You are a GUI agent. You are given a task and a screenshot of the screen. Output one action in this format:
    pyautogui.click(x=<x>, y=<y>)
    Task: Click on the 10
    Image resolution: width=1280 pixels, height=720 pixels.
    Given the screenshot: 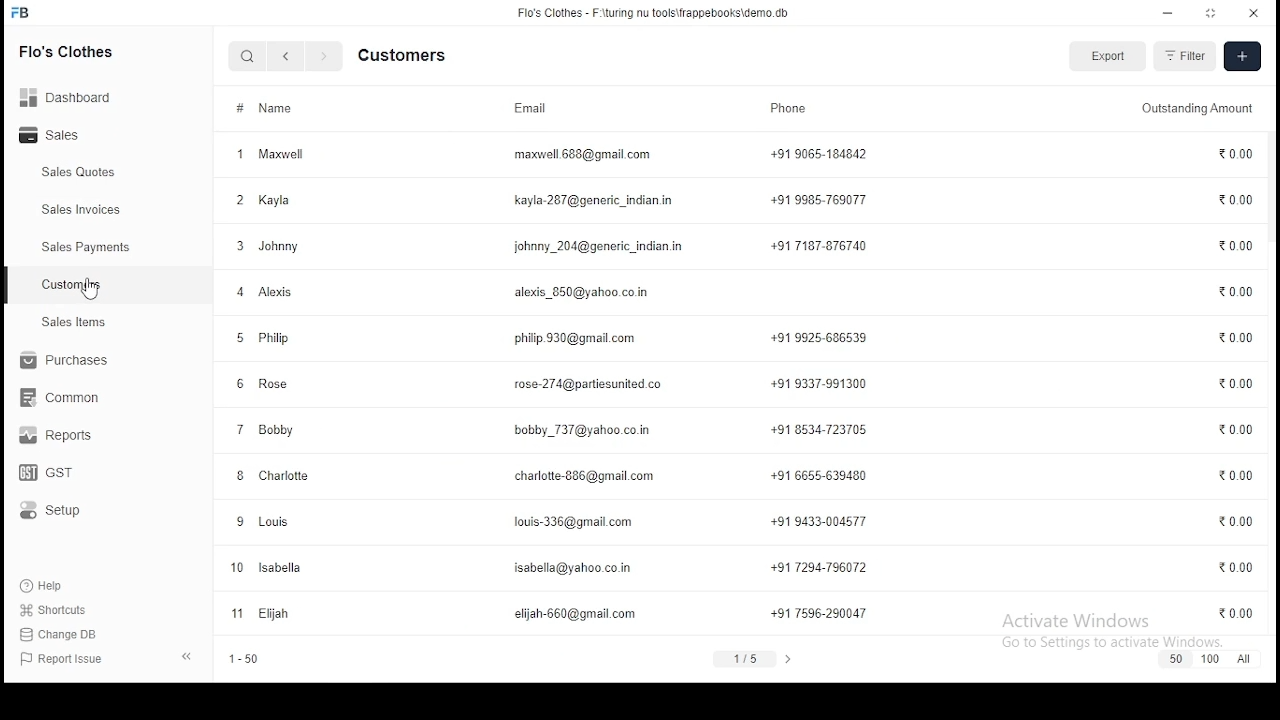 What is the action you would take?
    pyautogui.click(x=237, y=567)
    